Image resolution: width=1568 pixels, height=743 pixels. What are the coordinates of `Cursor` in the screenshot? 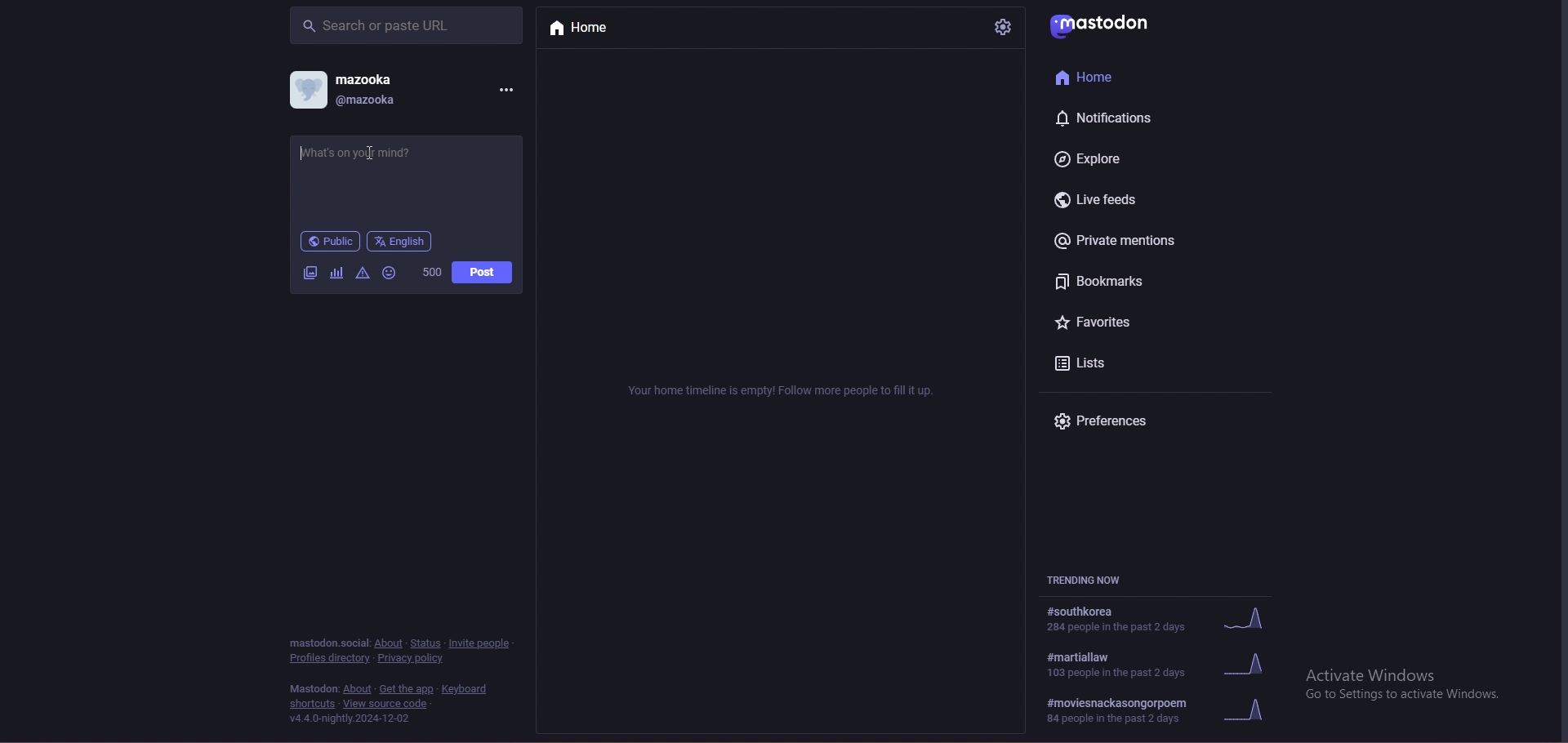 It's located at (363, 145).